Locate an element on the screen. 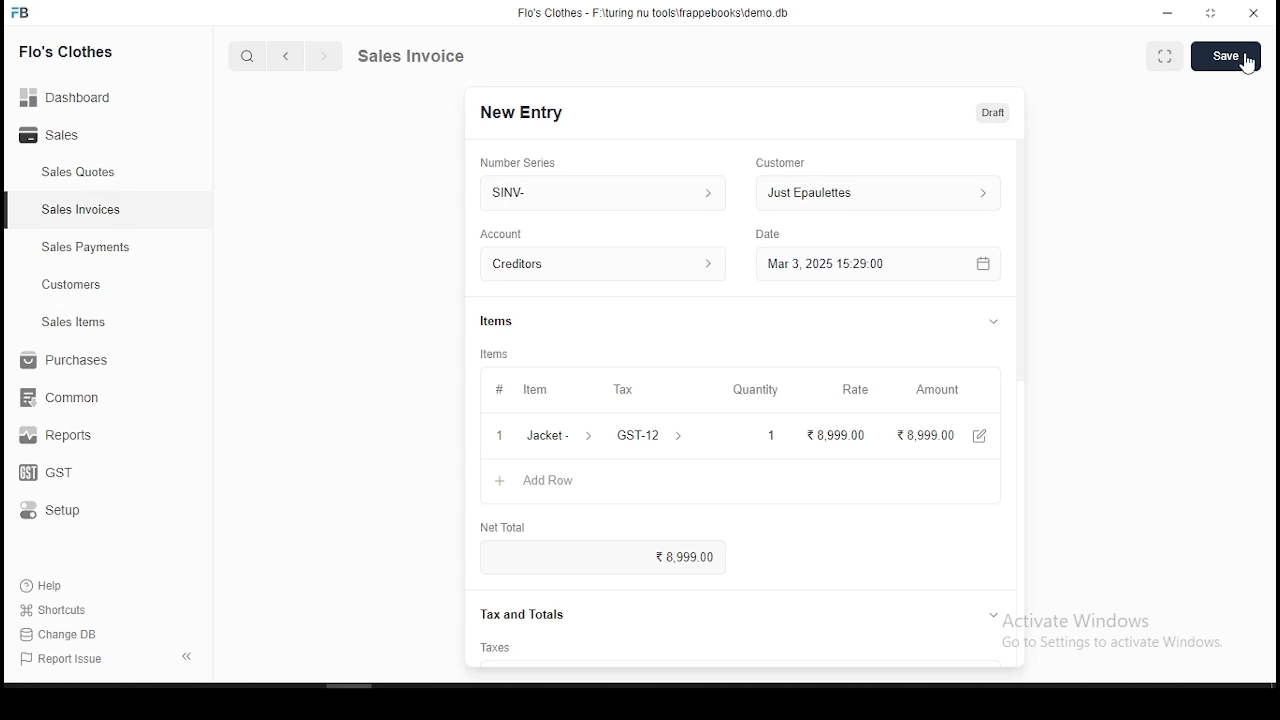  reports is located at coordinates (58, 437).